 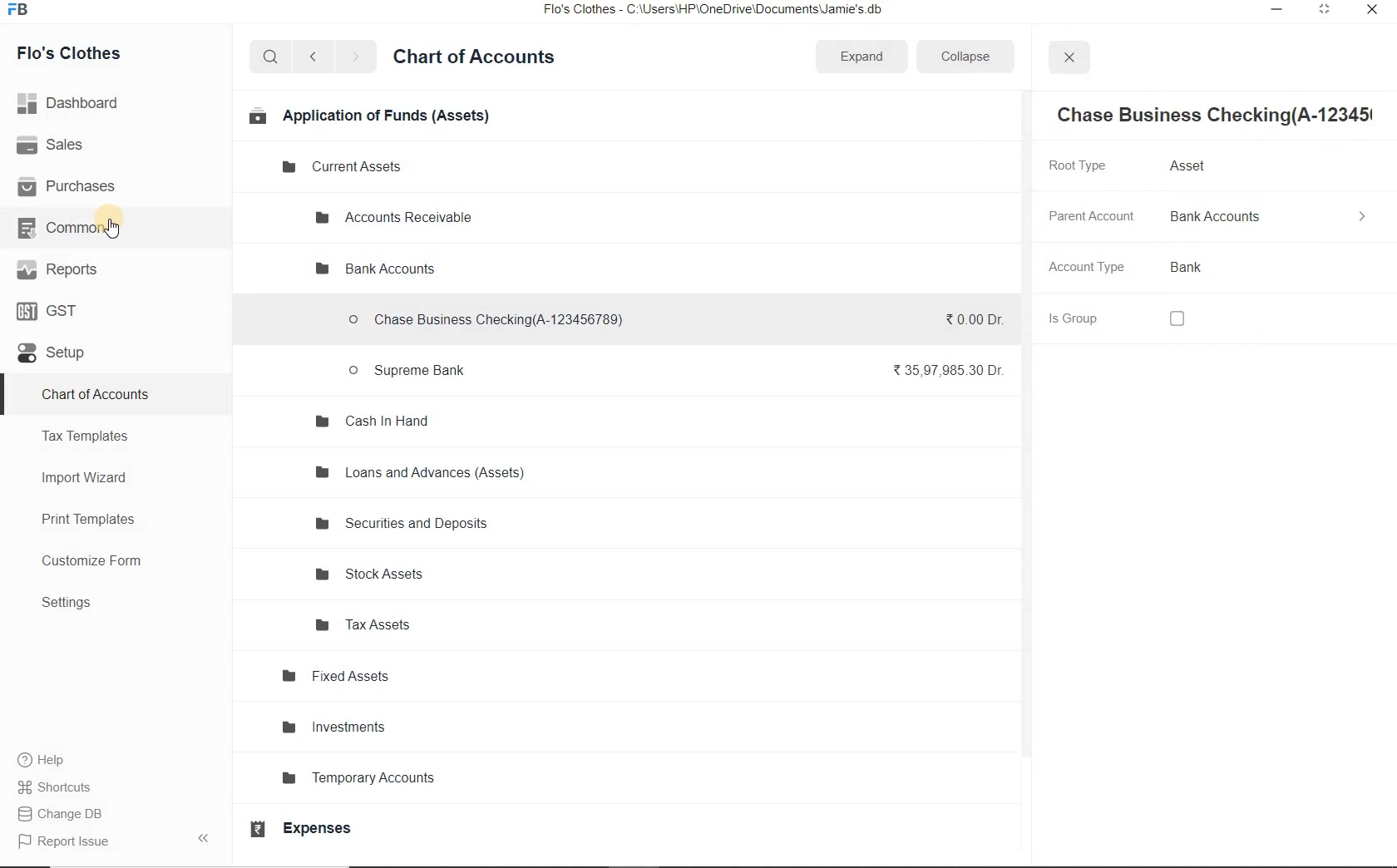 I want to click on Current Assets, so click(x=351, y=165).